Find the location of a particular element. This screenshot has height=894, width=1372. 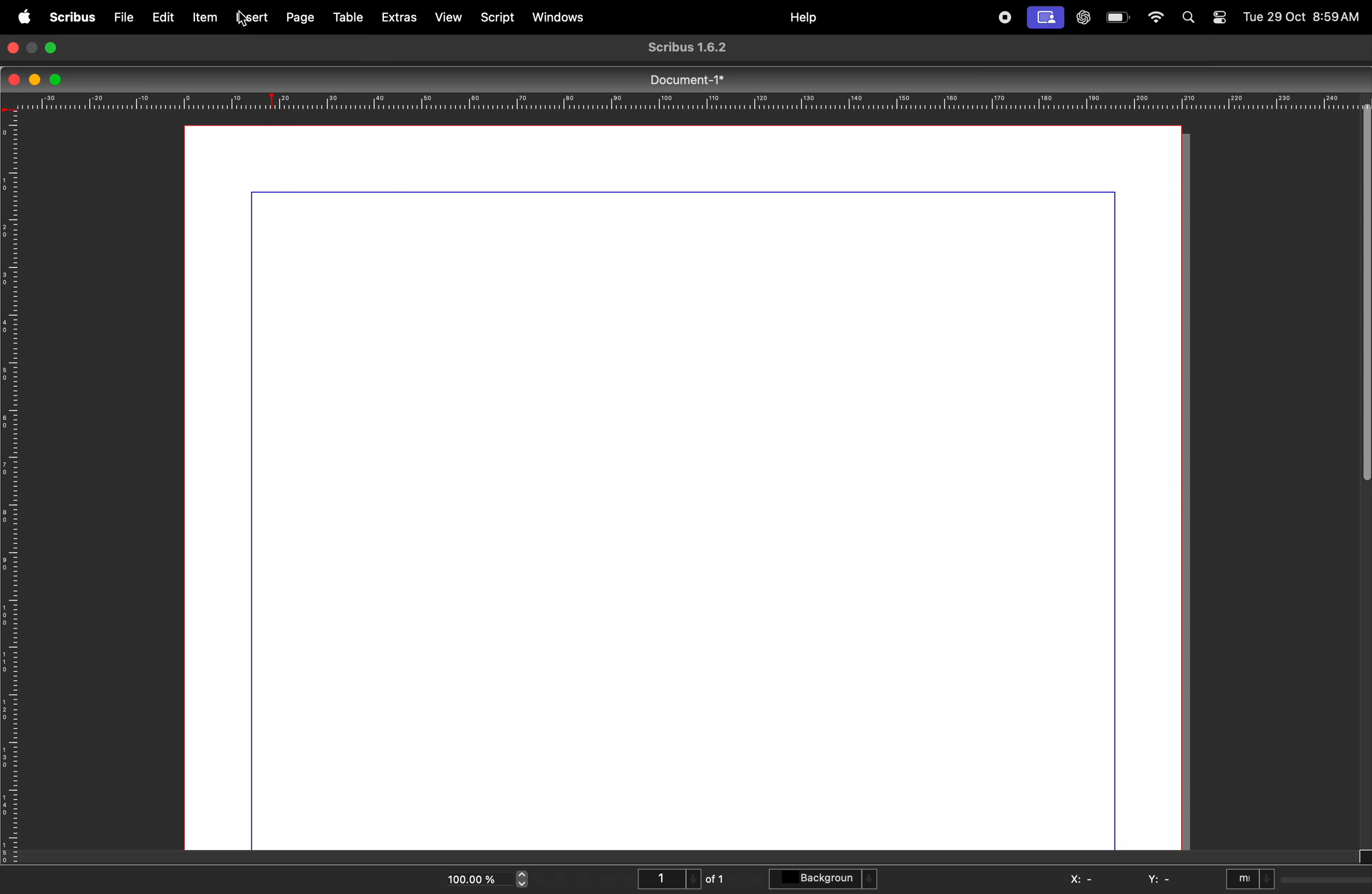

page is located at coordinates (300, 16).